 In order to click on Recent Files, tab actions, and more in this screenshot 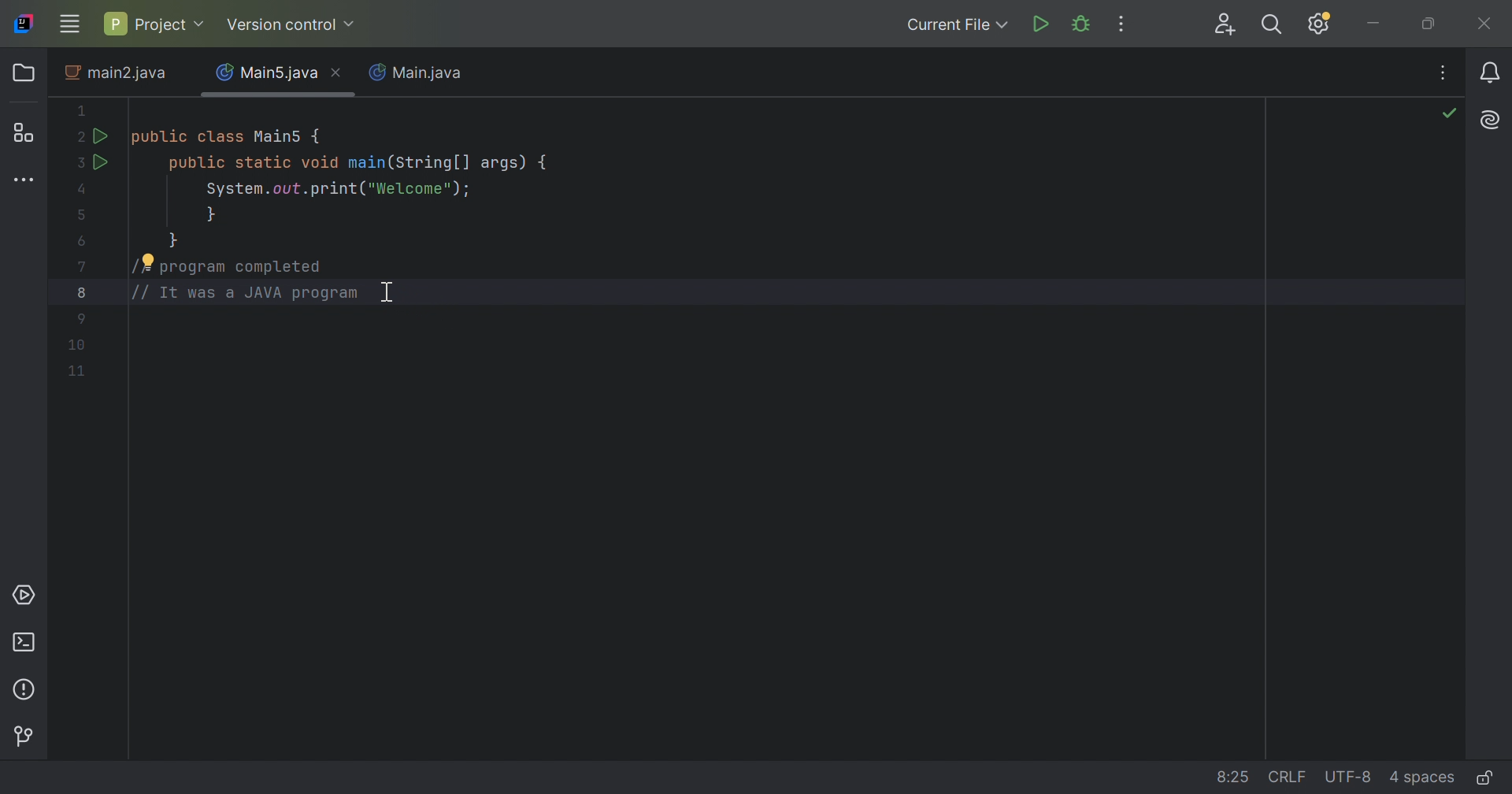, I will do `click(1445, 72)`.